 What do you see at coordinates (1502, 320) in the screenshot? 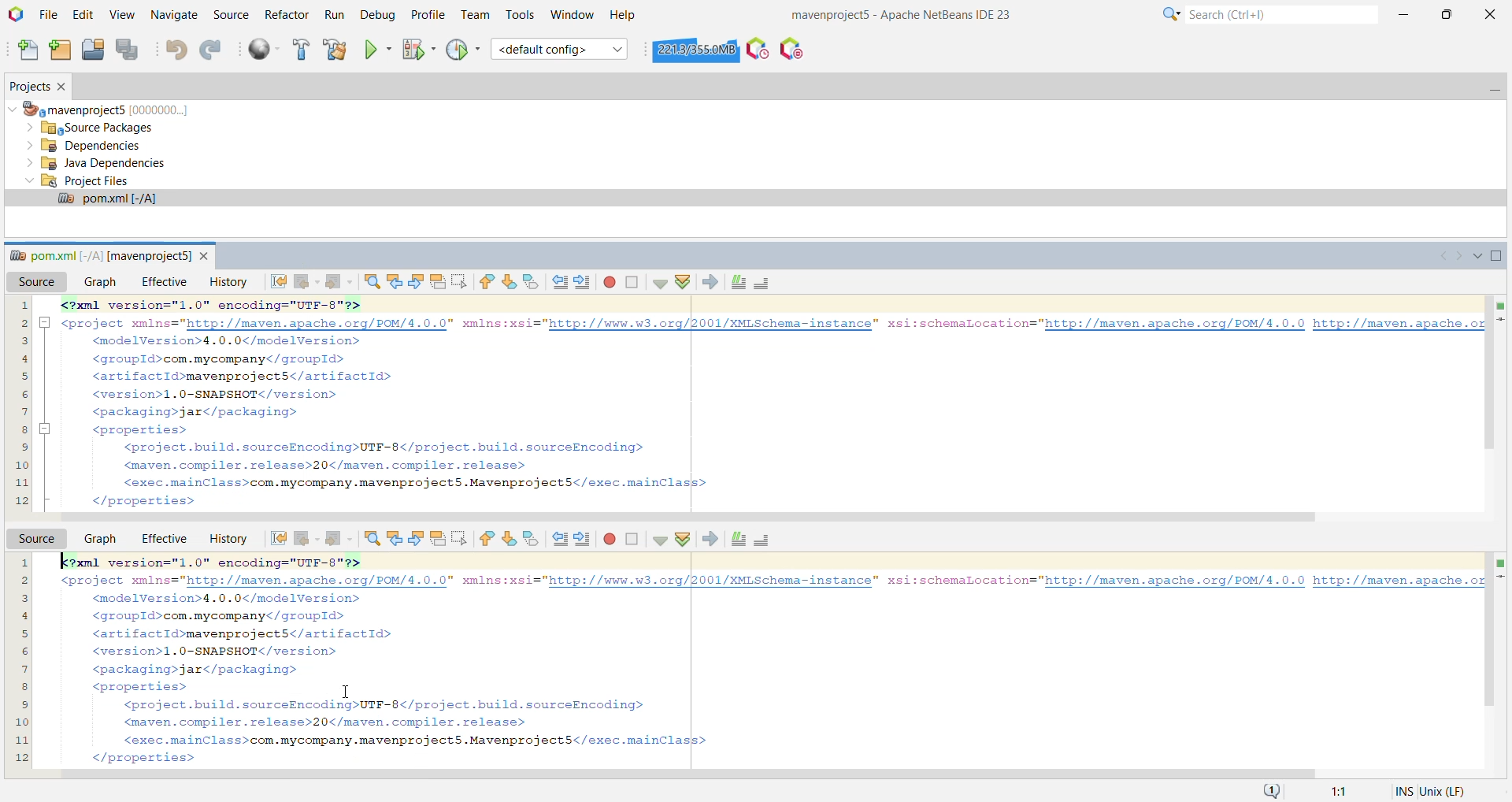
I see `Current Line` at bounding box center [1502, 320].